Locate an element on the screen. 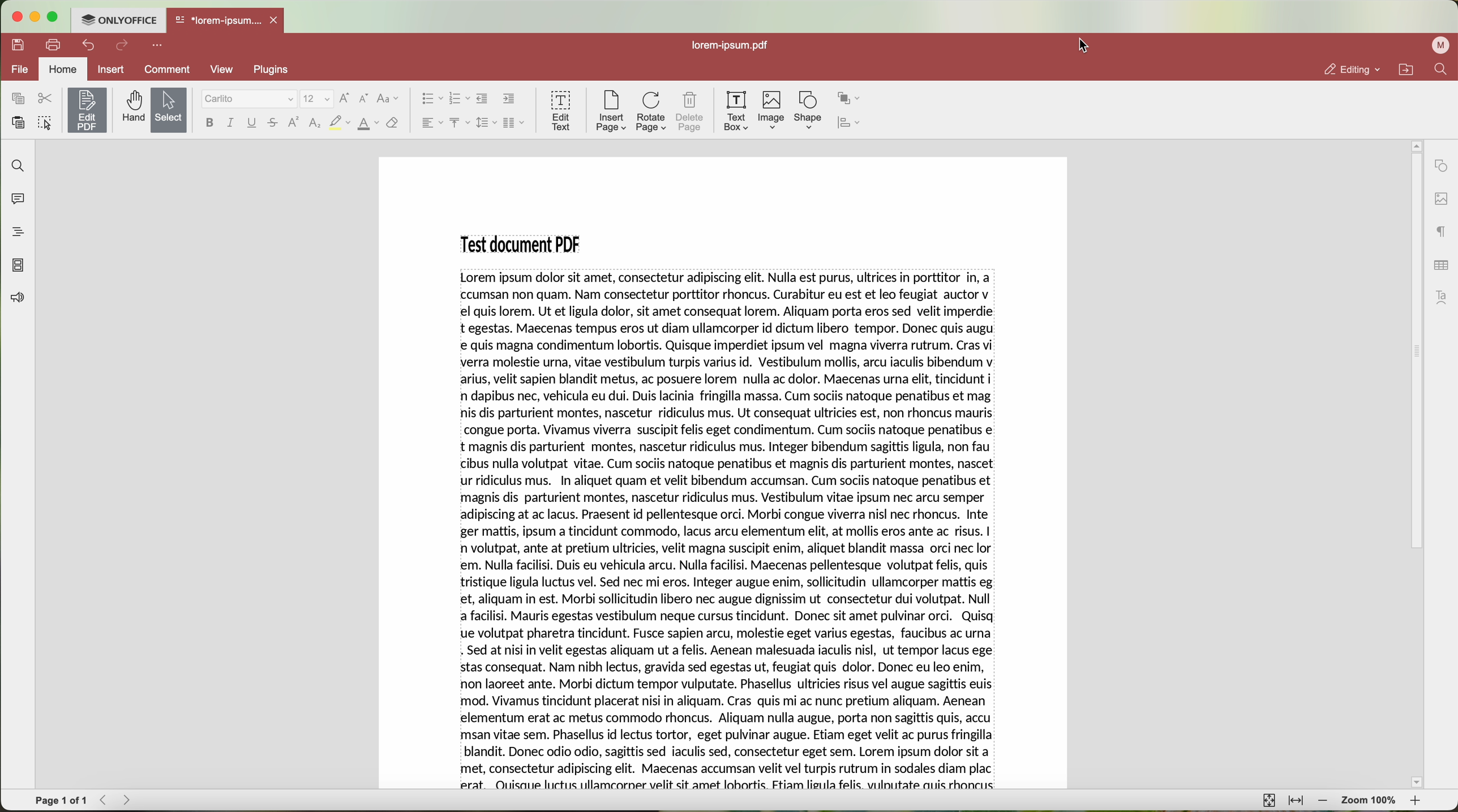  shape is located at coordinates (807, 111).